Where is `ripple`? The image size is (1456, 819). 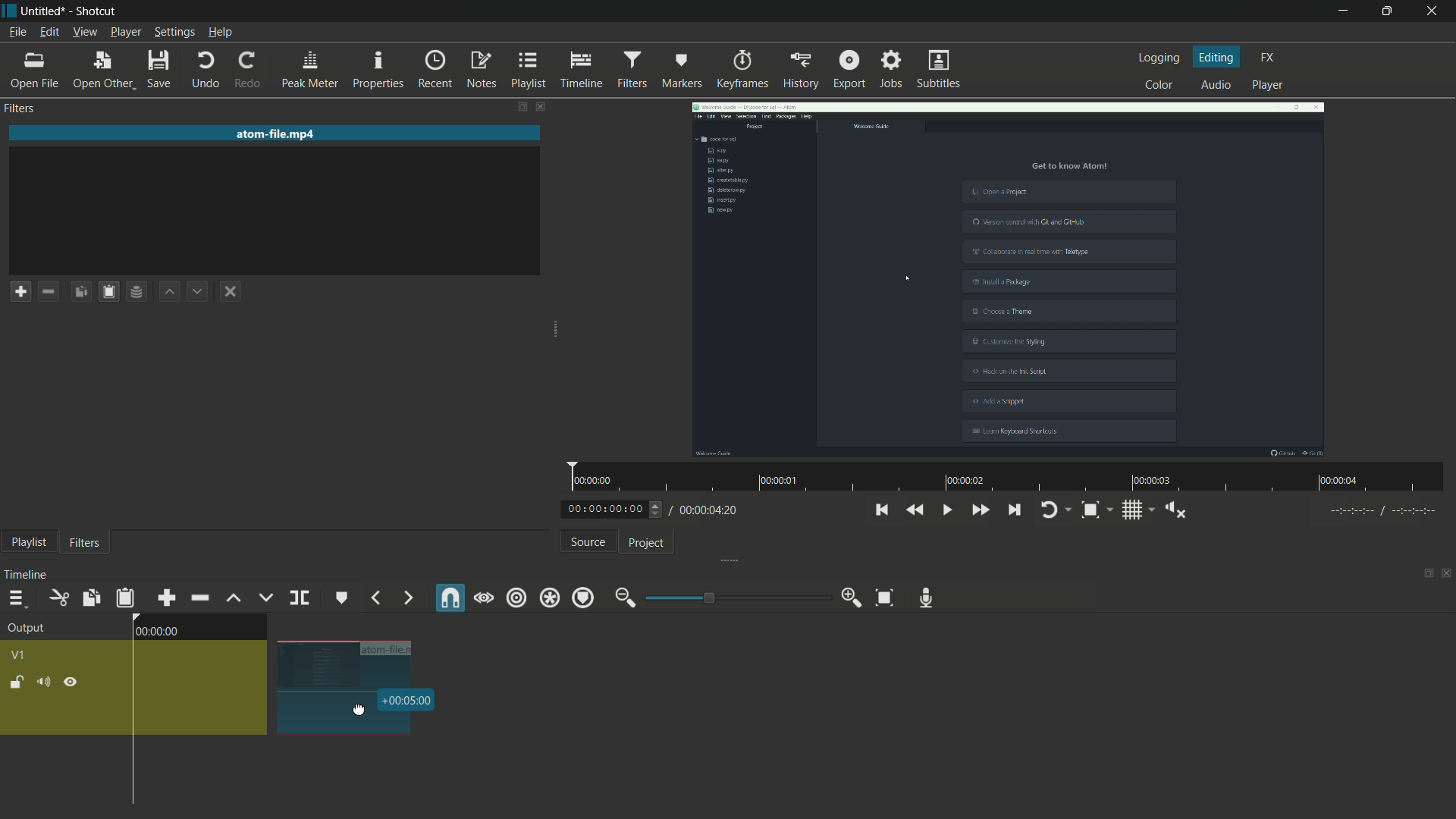 ripple is located at coordinates (516, 598).